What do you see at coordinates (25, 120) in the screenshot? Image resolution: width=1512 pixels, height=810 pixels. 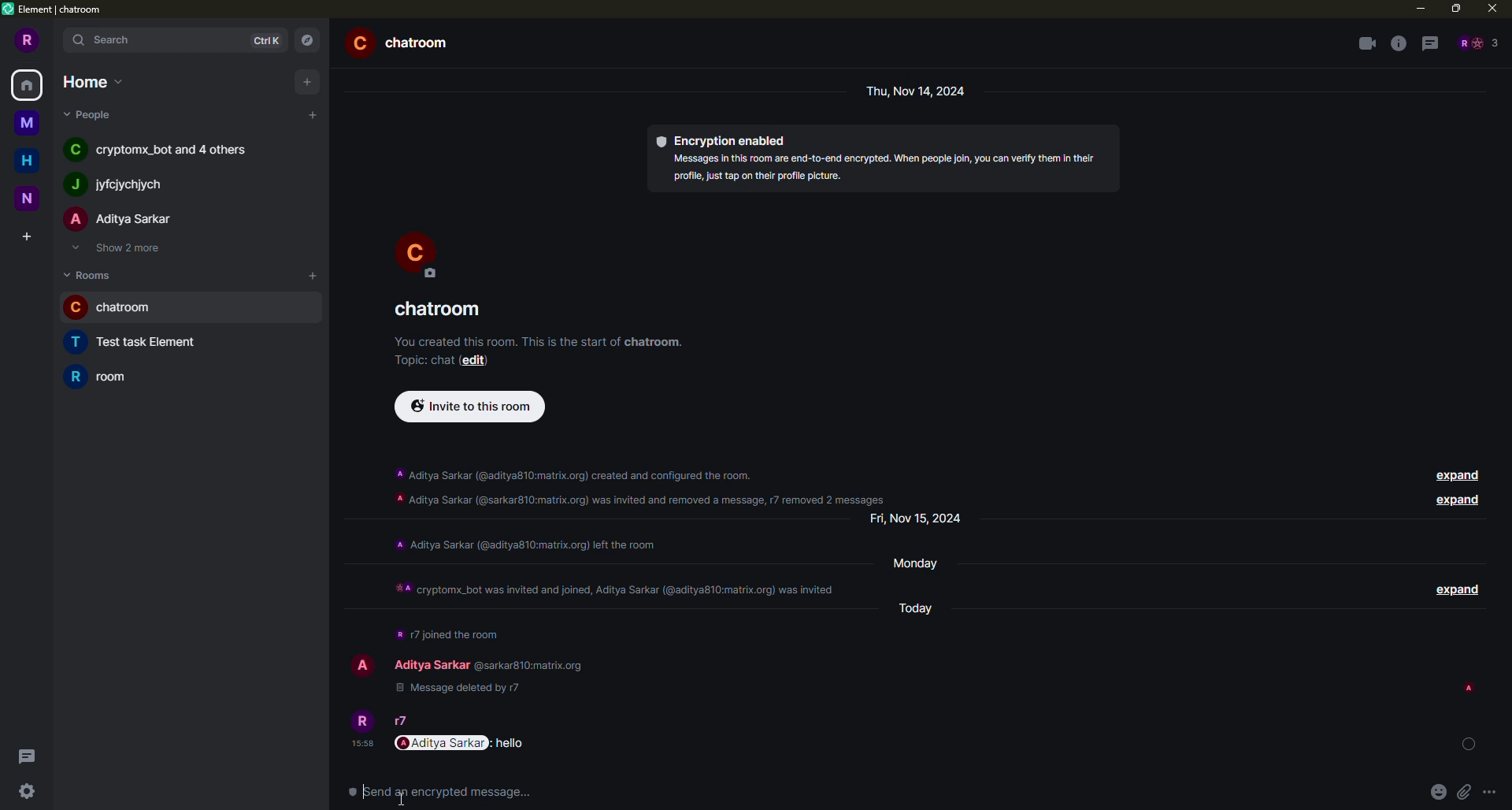 I see `space` at bounding box center [25, 120].